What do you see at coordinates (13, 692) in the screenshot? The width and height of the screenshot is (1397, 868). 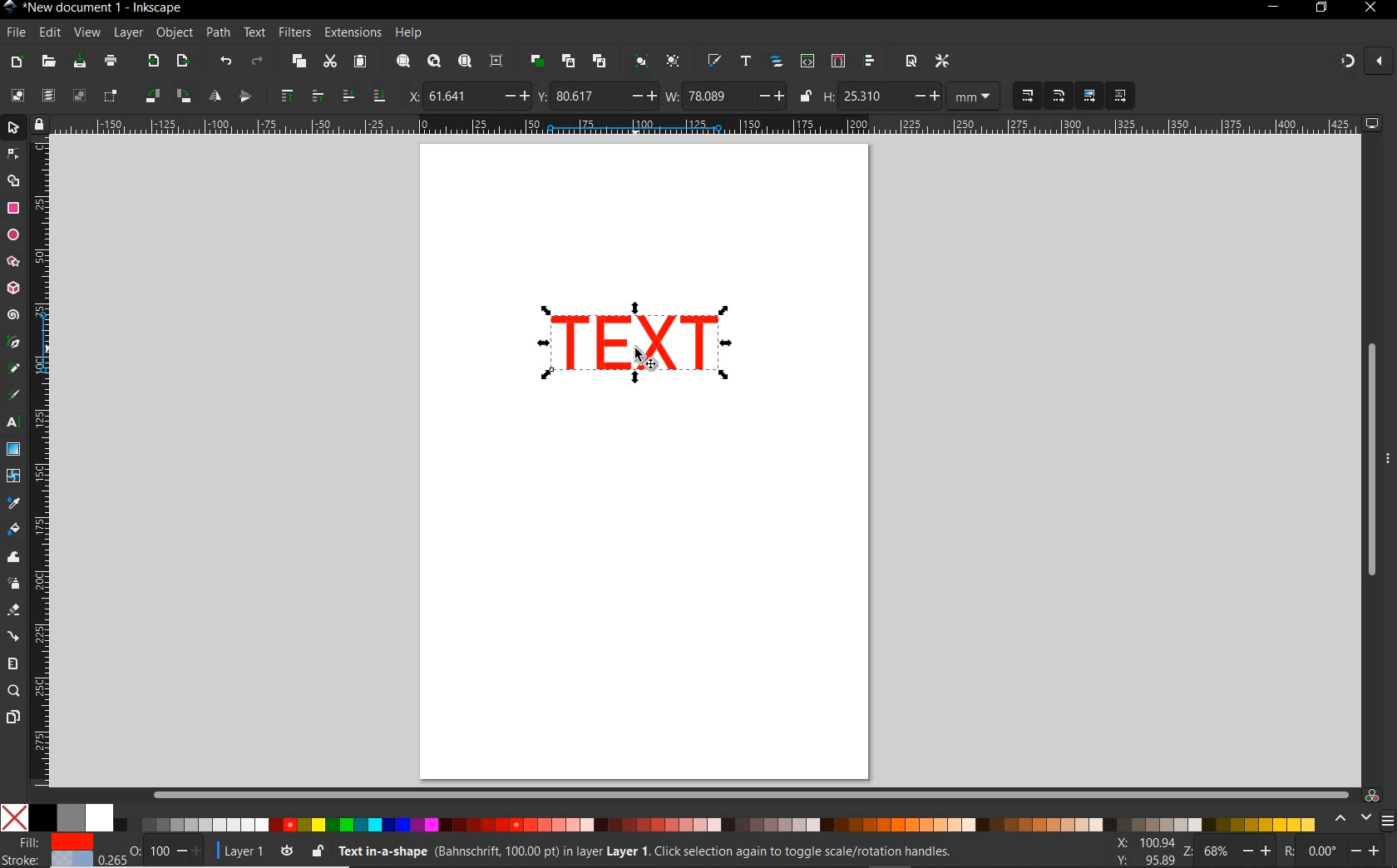 I see `zoom tool` at bounding box center [13, 692].